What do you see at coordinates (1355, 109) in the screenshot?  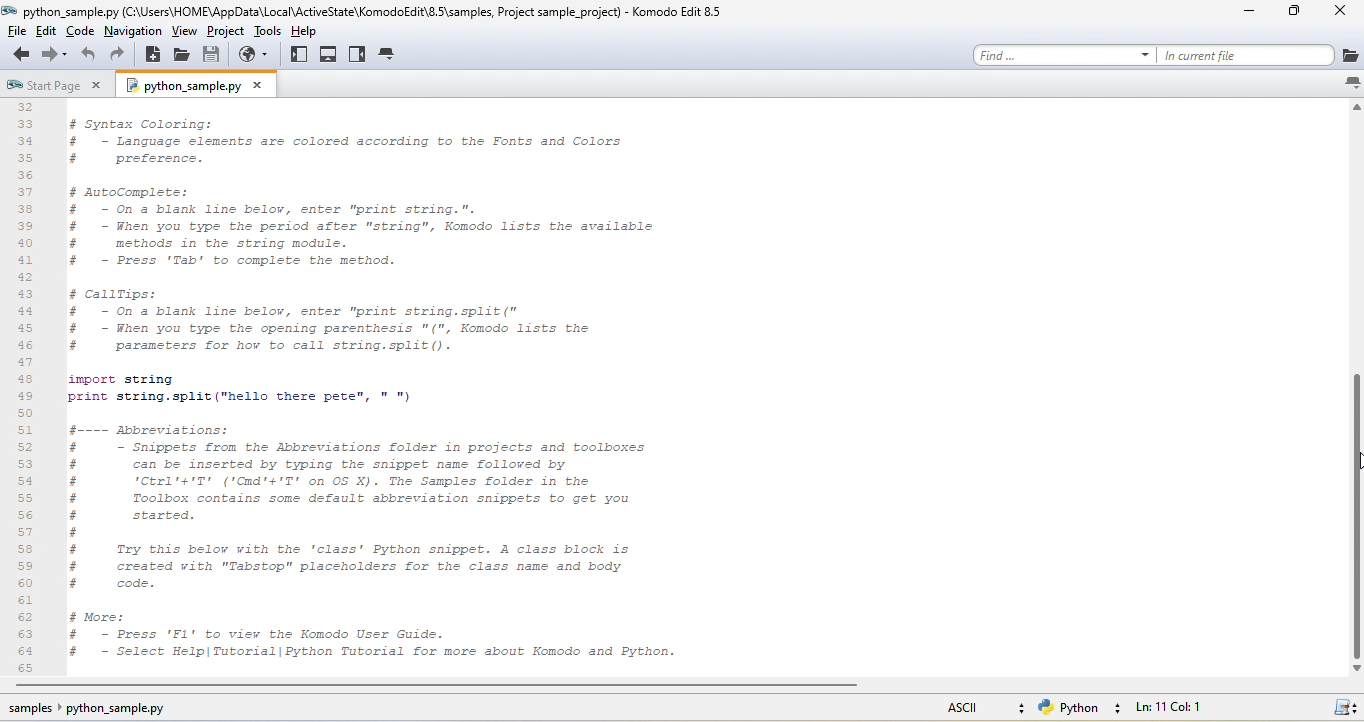 I see `scroll up ` at bounding box center [1355, 109].